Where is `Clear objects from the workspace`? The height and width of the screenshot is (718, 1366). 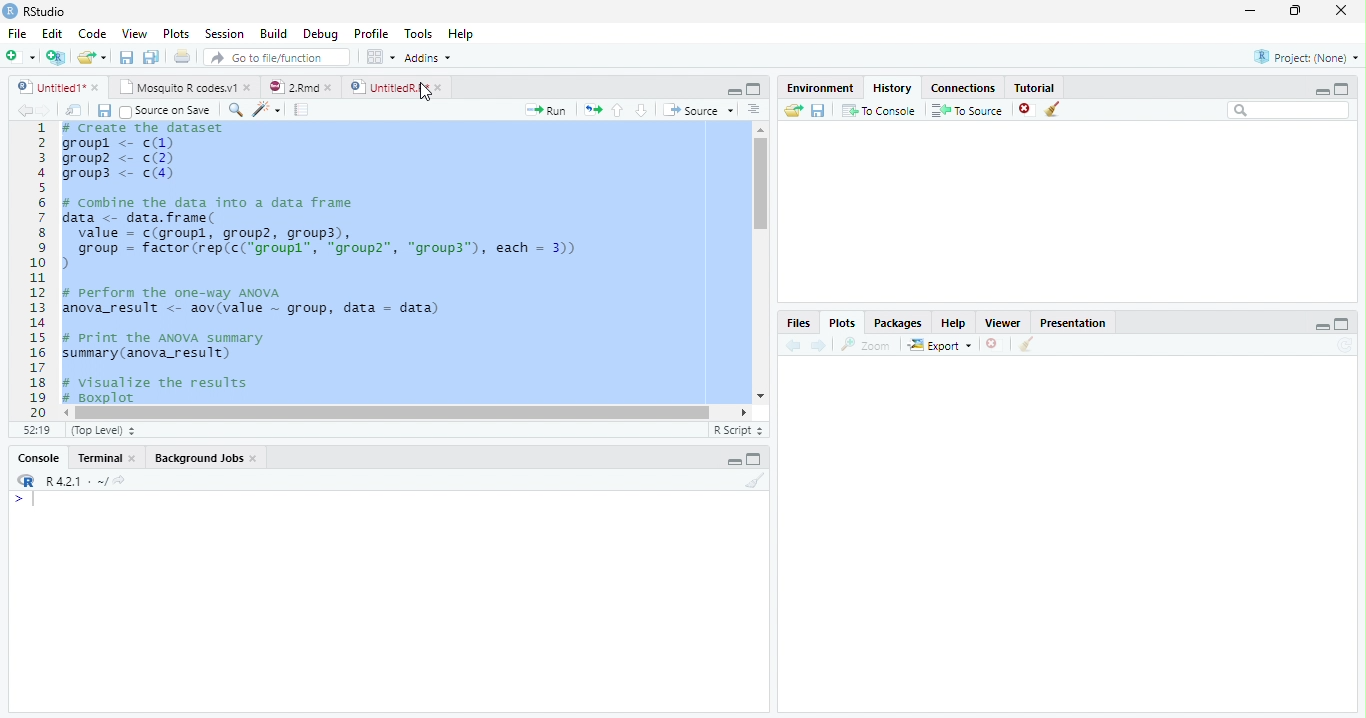
Clear objects from the workspace is located at coordinates (1051, 106).